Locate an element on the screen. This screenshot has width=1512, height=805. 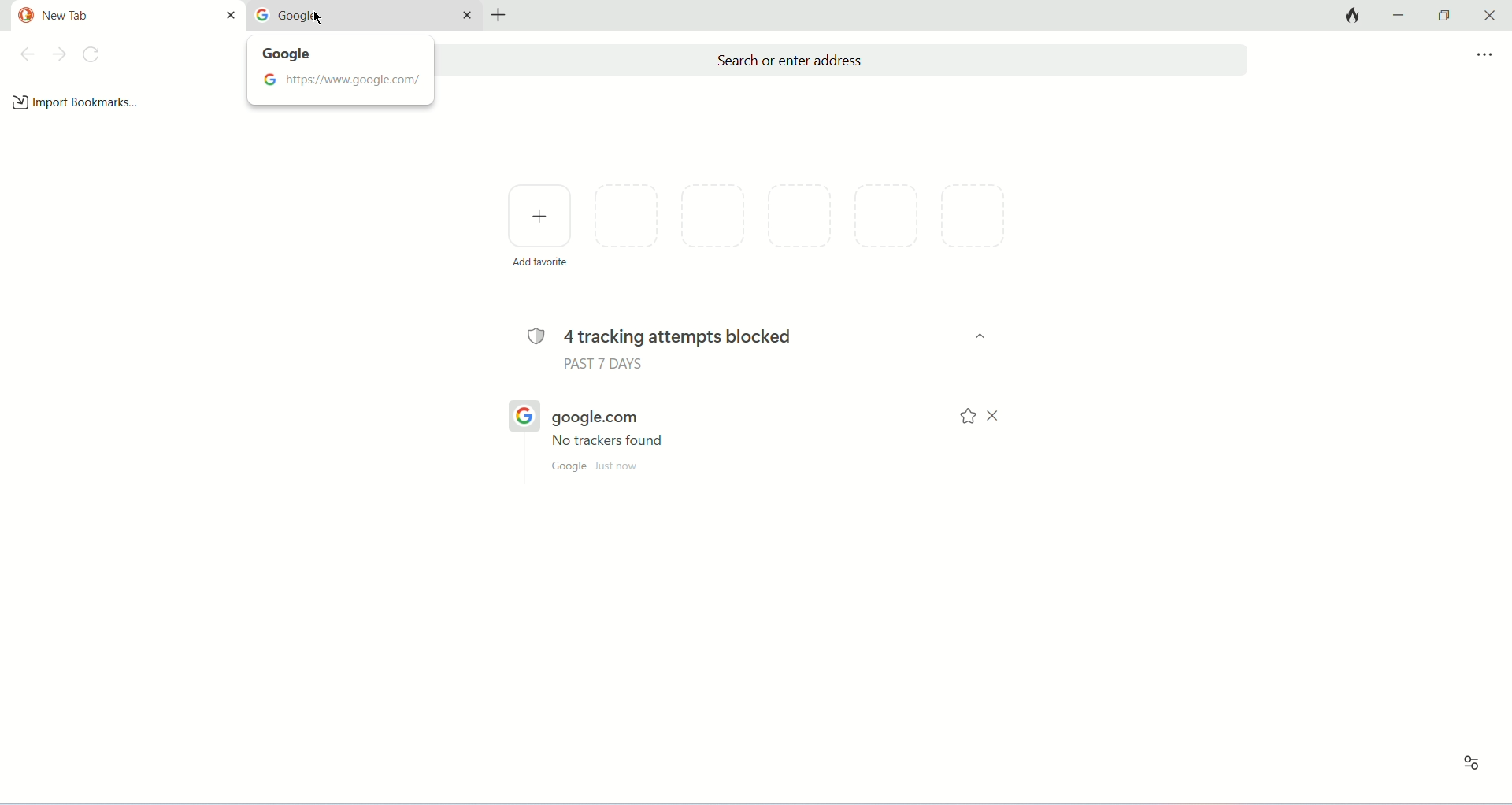
new tab is located at coordinates (505, 16).